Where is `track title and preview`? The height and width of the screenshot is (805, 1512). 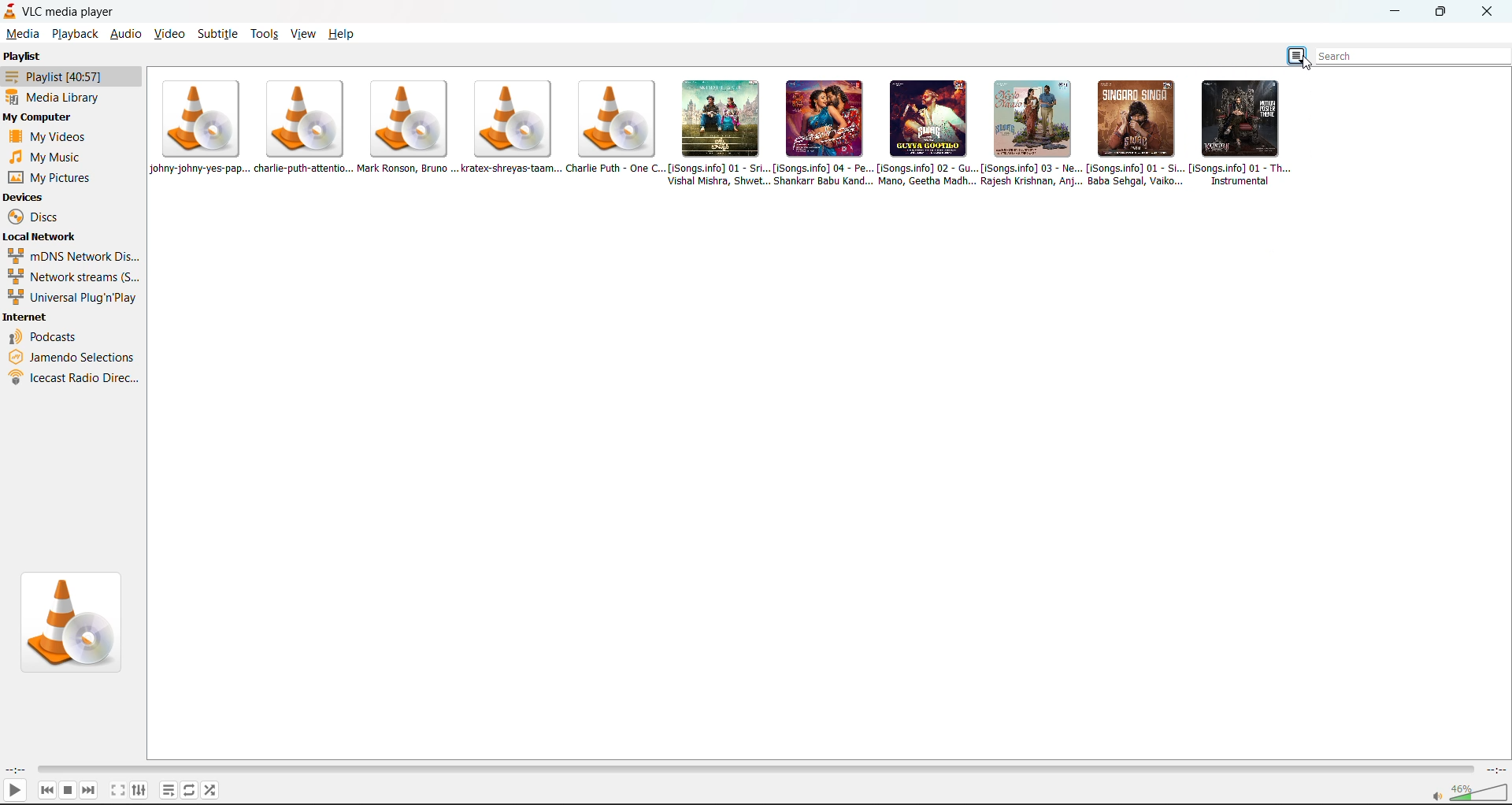
track title and preview is located at coordinates (926, 133).